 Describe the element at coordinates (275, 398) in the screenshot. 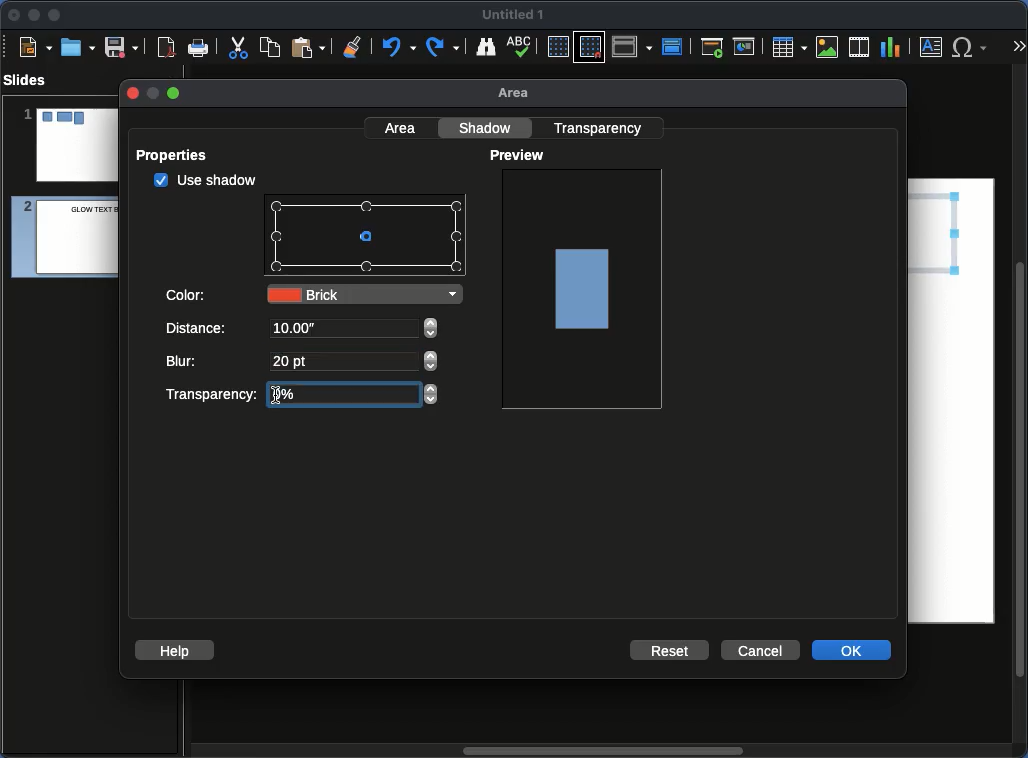

I see `text cursor` at that location.